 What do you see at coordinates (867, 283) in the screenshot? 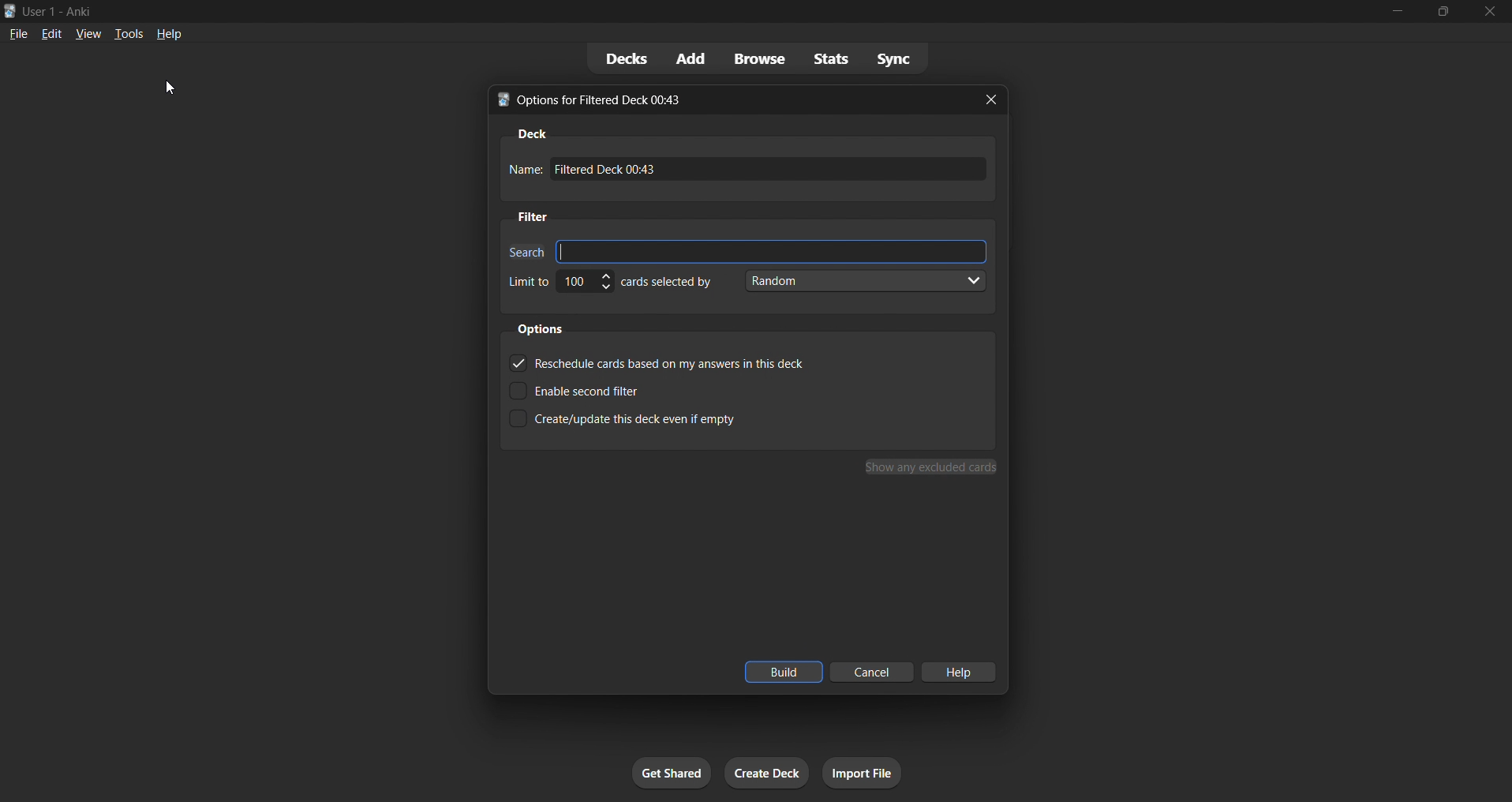
I see `random` at bounding box center [867, 283].